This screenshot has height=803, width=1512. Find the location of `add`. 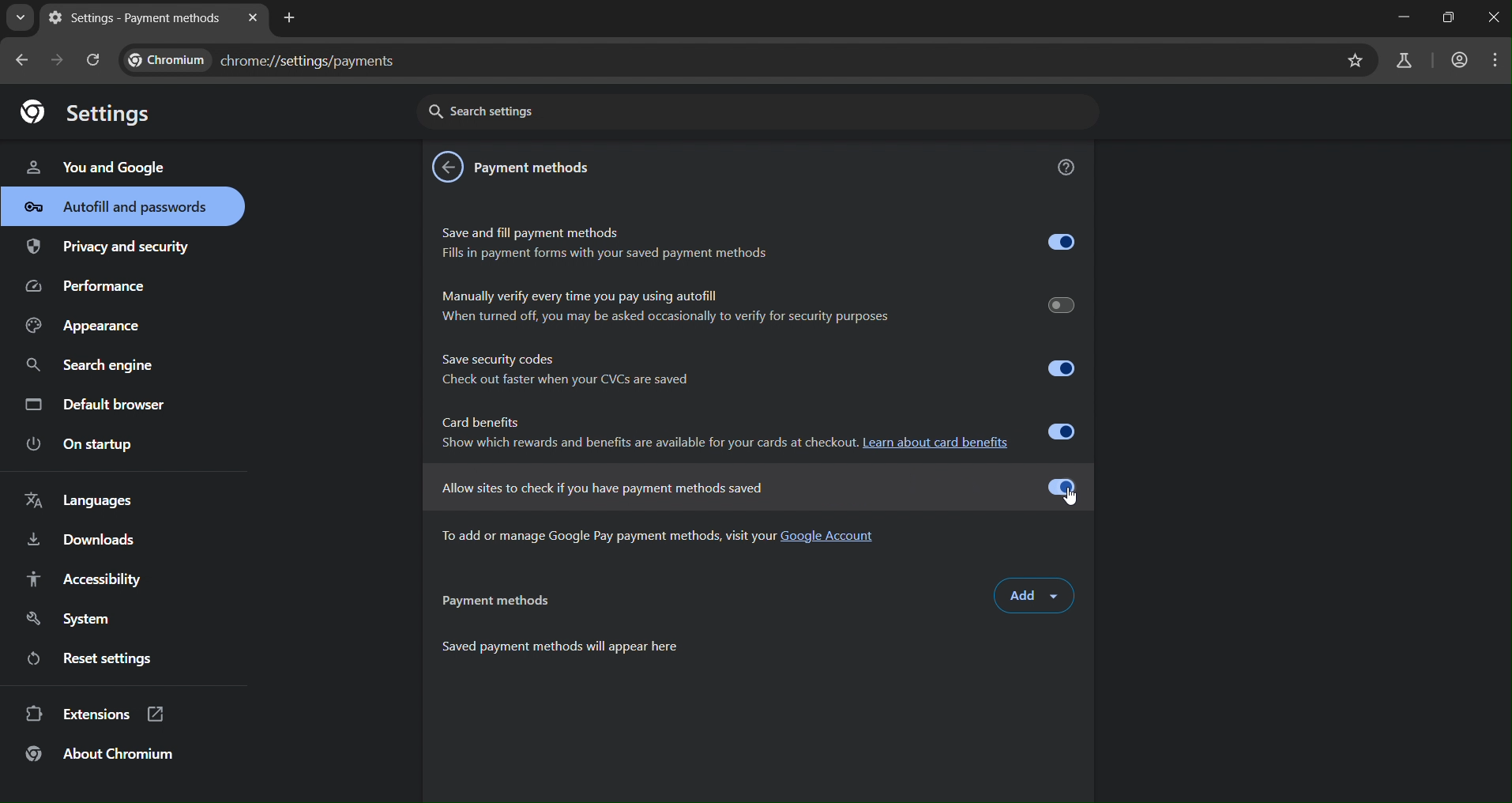

add is located at coordinates (1034, 597).